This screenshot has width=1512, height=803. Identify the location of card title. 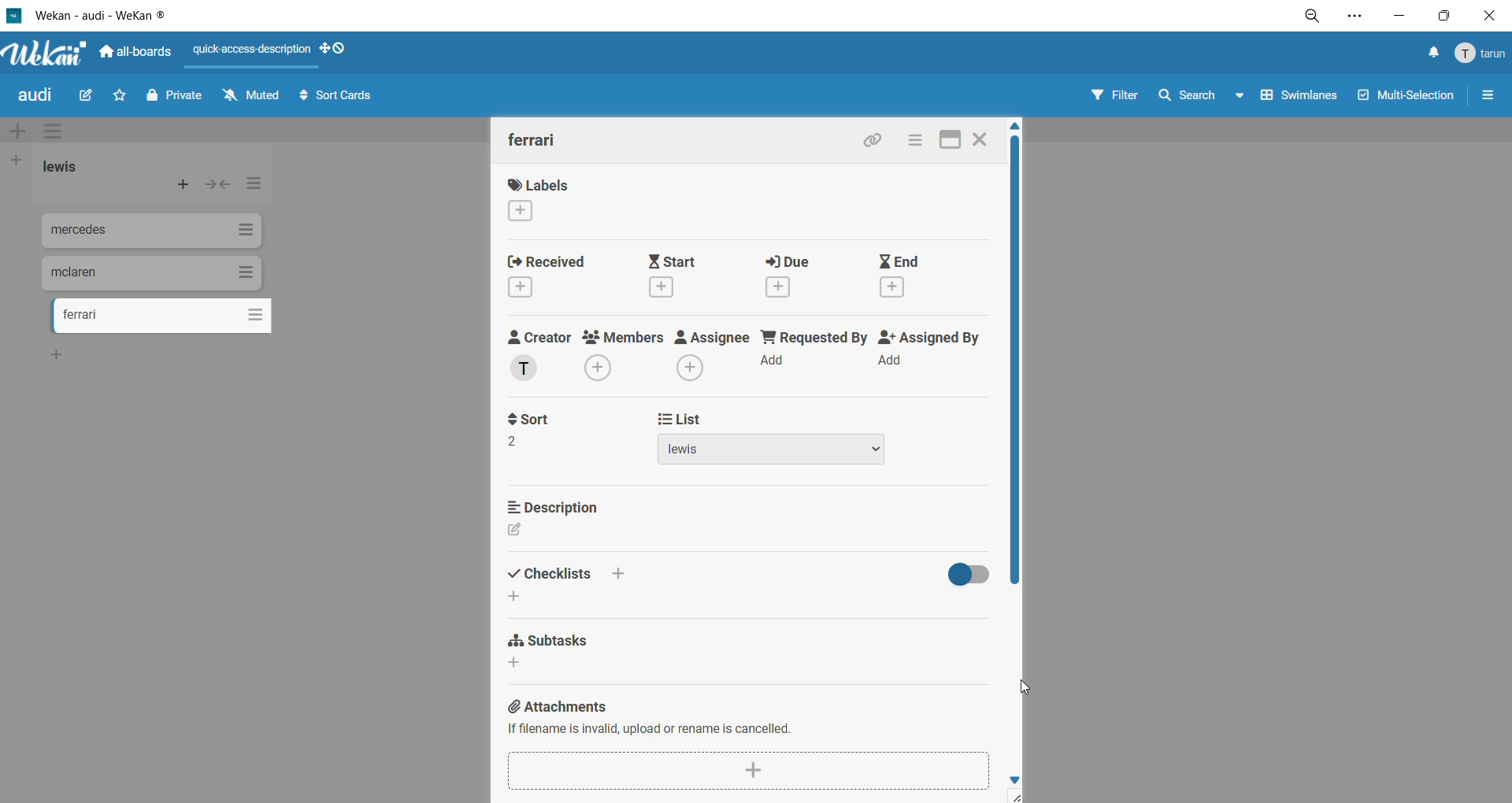
(533, 139).